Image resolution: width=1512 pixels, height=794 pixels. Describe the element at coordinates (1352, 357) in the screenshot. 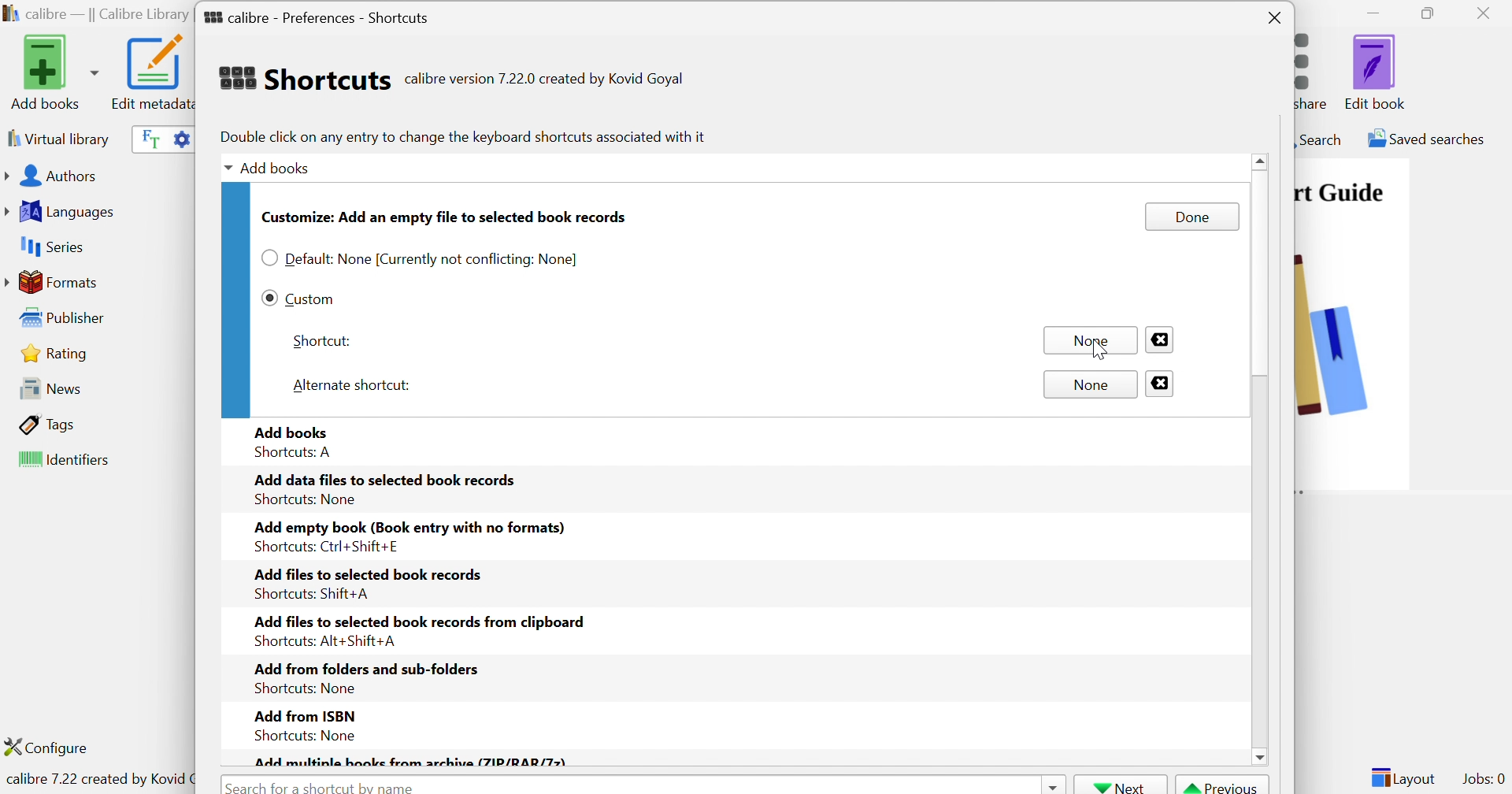

I see `image` at that location.